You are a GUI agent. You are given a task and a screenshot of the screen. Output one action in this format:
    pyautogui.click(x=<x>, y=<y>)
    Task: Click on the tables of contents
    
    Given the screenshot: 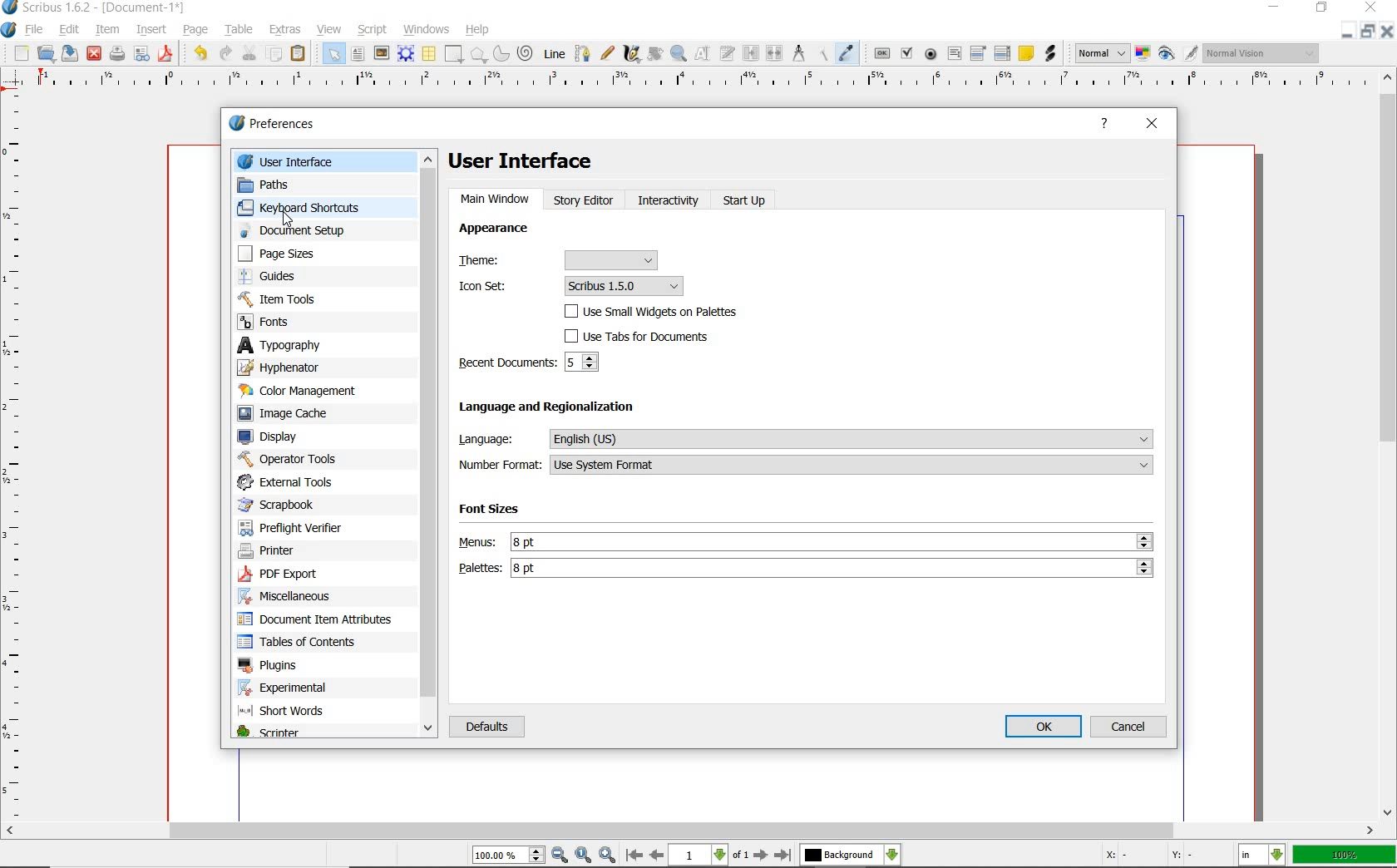 What is the action you would take?
    pyautogui.click(x=304, y=643)
    